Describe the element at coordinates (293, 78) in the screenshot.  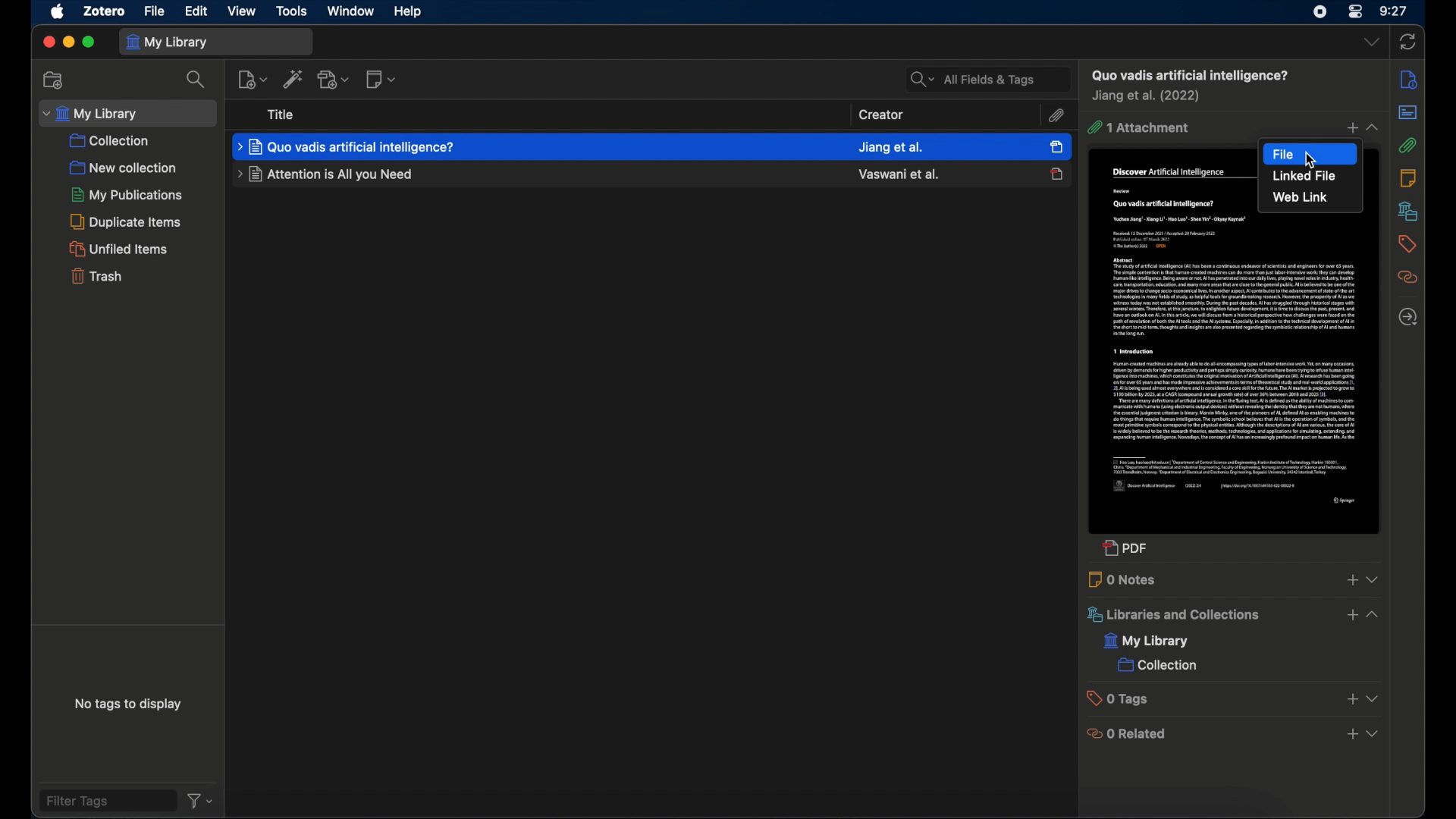
I see `add items by identifier` at that location.